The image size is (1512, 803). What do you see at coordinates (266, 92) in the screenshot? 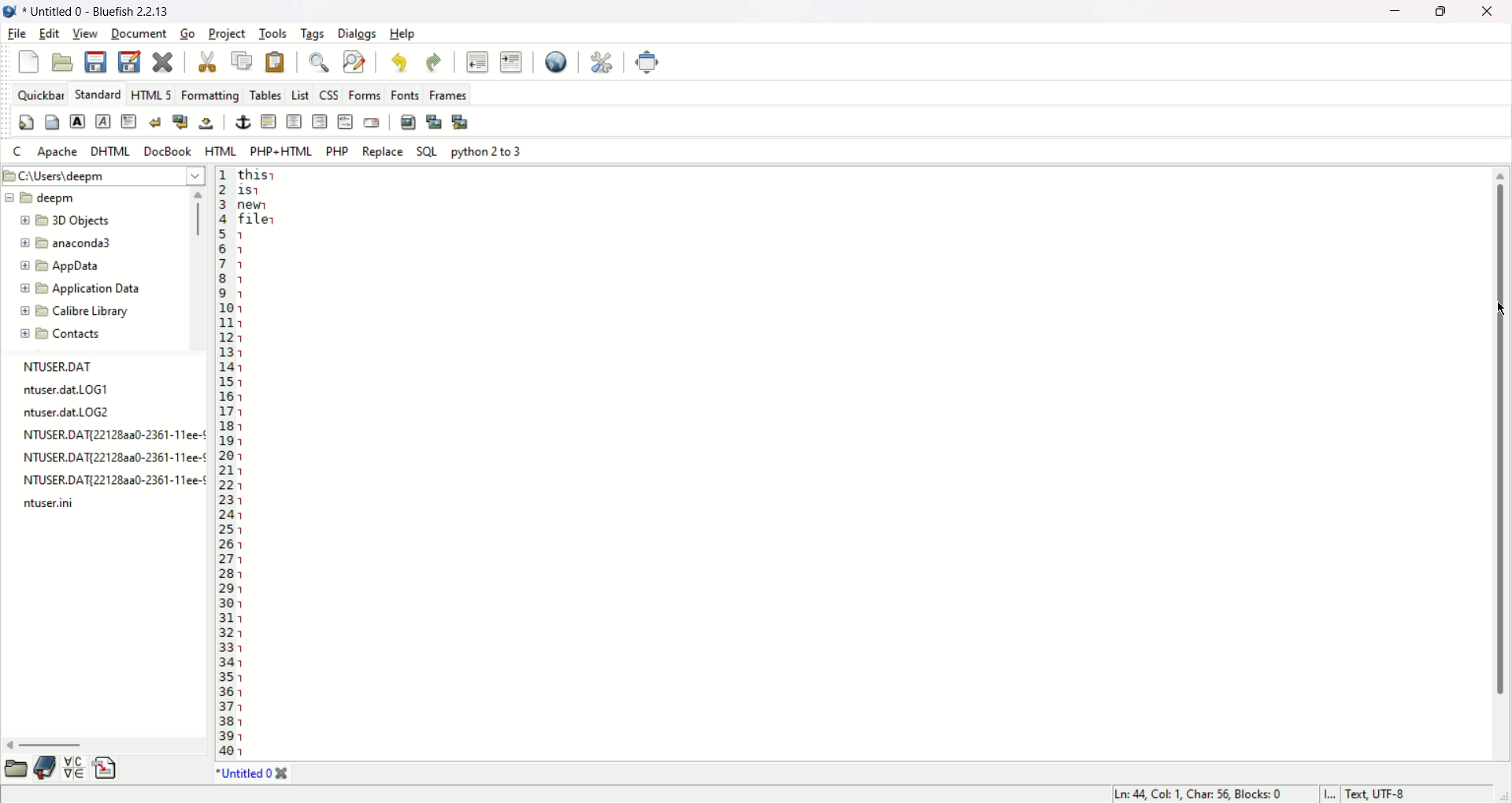
I see `Tables` at bounding box center [266, 92].